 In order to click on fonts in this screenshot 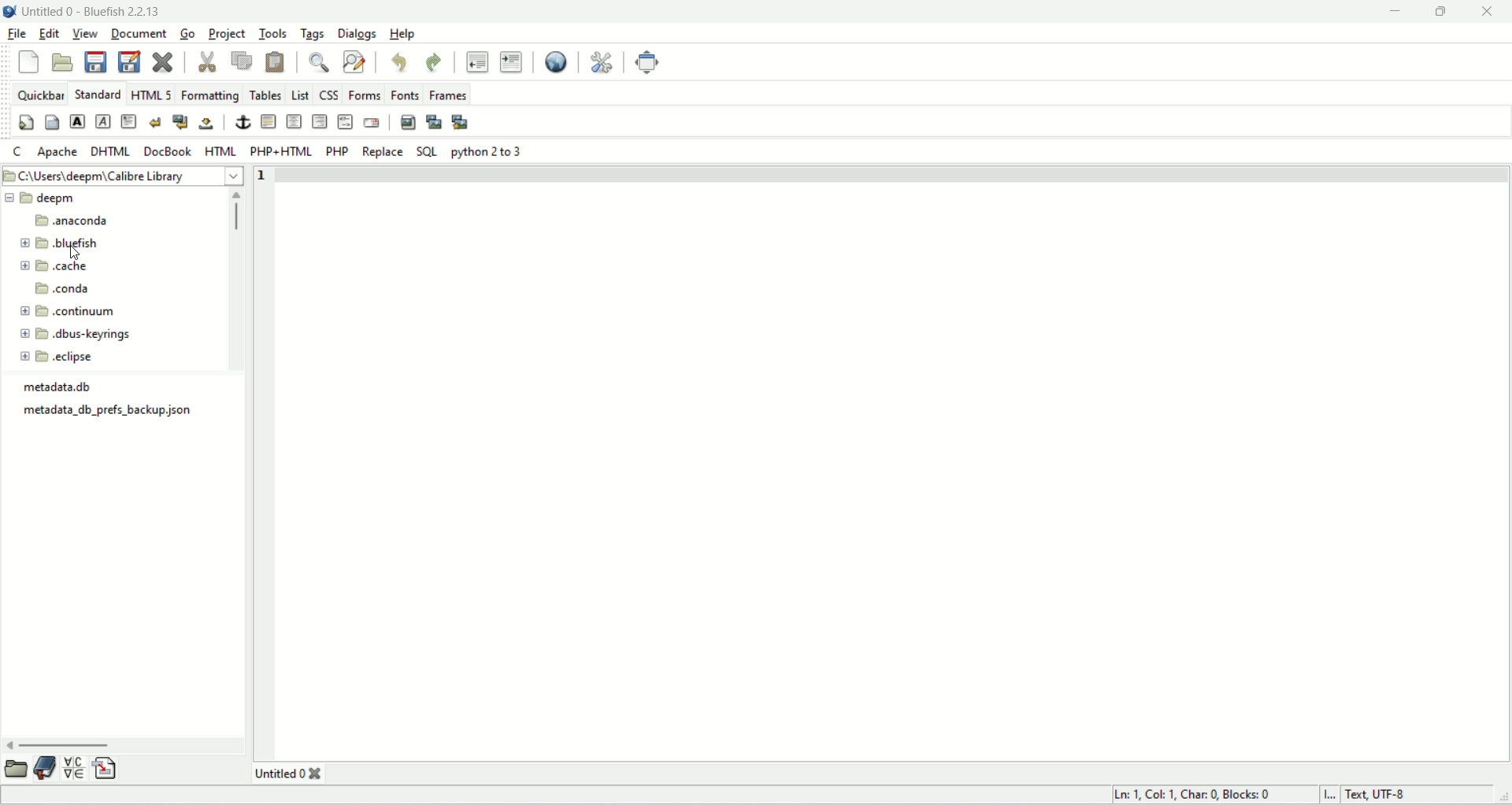, I will do `click(404, 95)`.